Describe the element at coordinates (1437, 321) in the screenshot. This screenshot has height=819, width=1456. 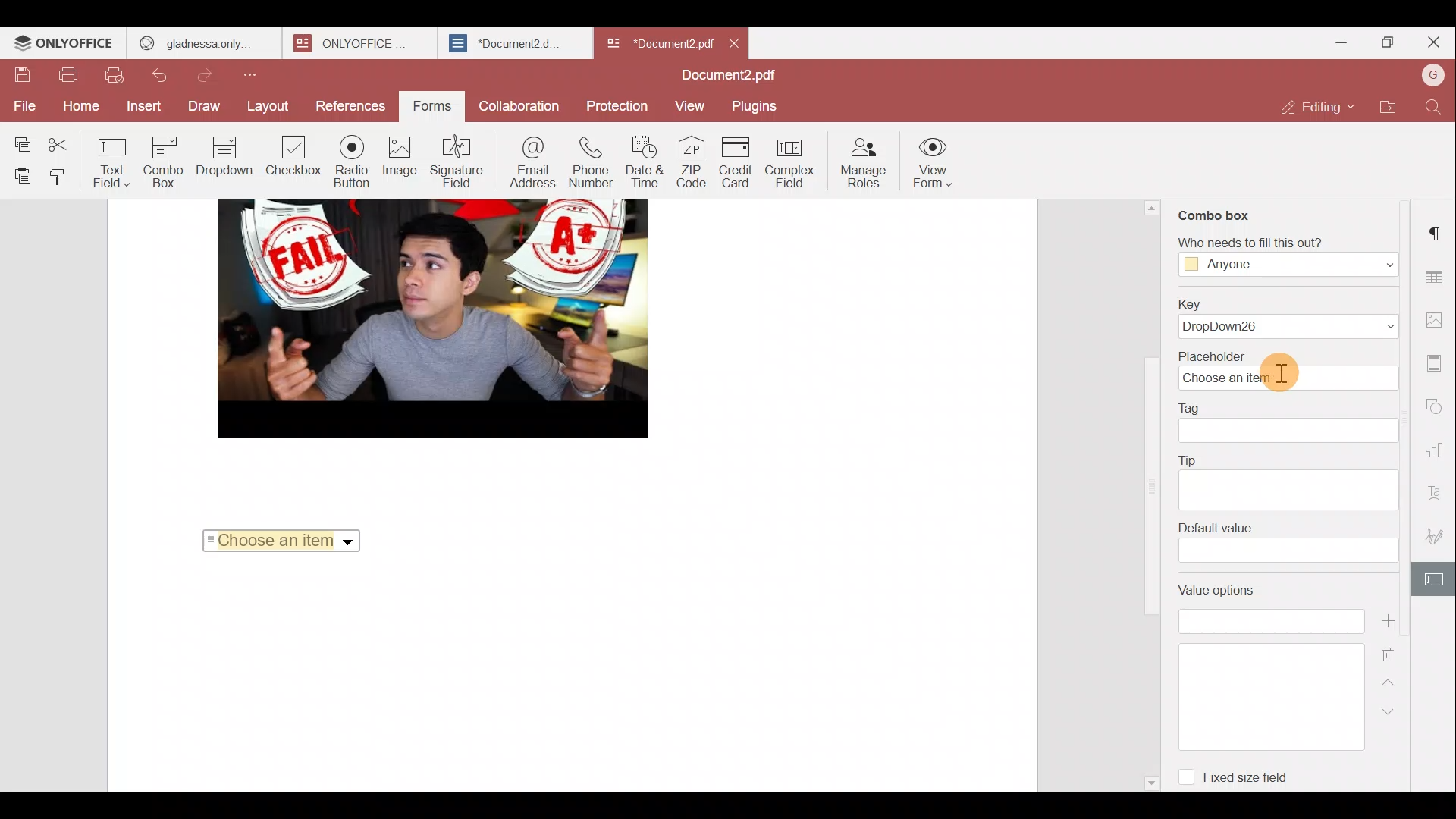
I see `Image settings` at that location.